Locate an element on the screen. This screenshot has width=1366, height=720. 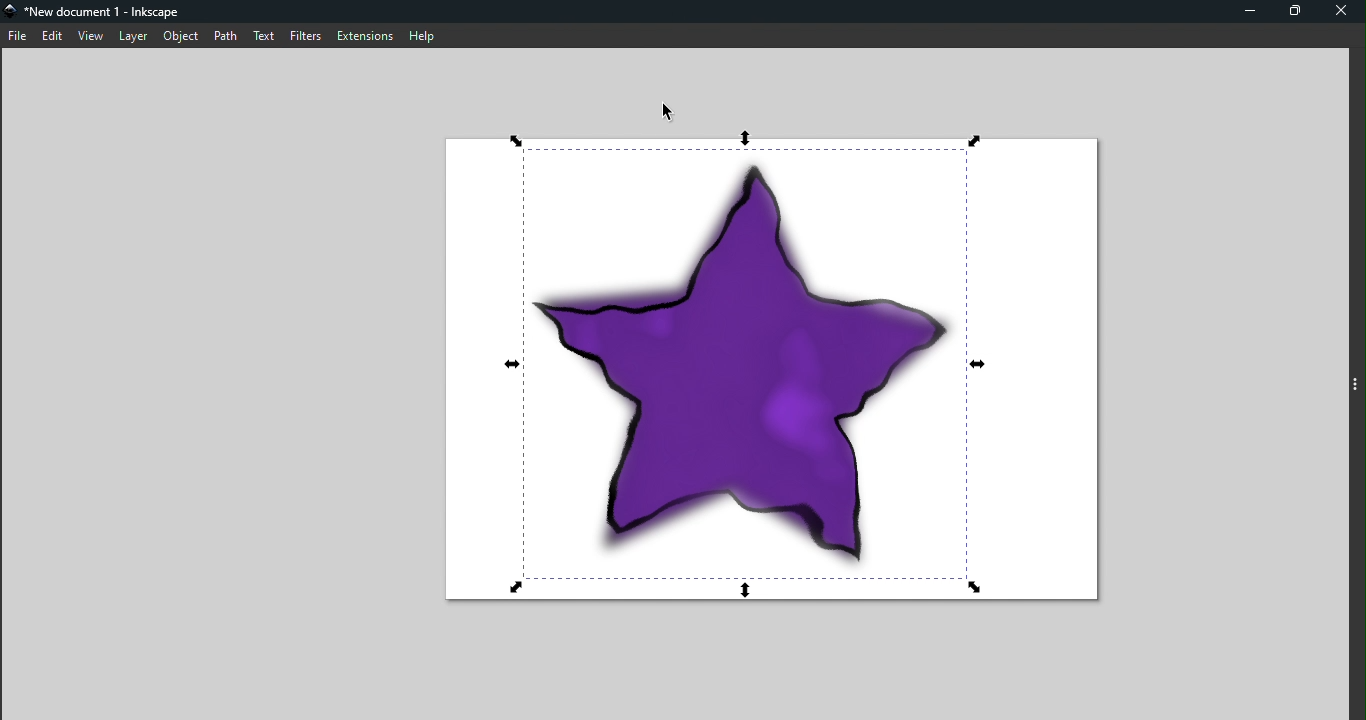
Canvas is located at coordinates (768, 373).